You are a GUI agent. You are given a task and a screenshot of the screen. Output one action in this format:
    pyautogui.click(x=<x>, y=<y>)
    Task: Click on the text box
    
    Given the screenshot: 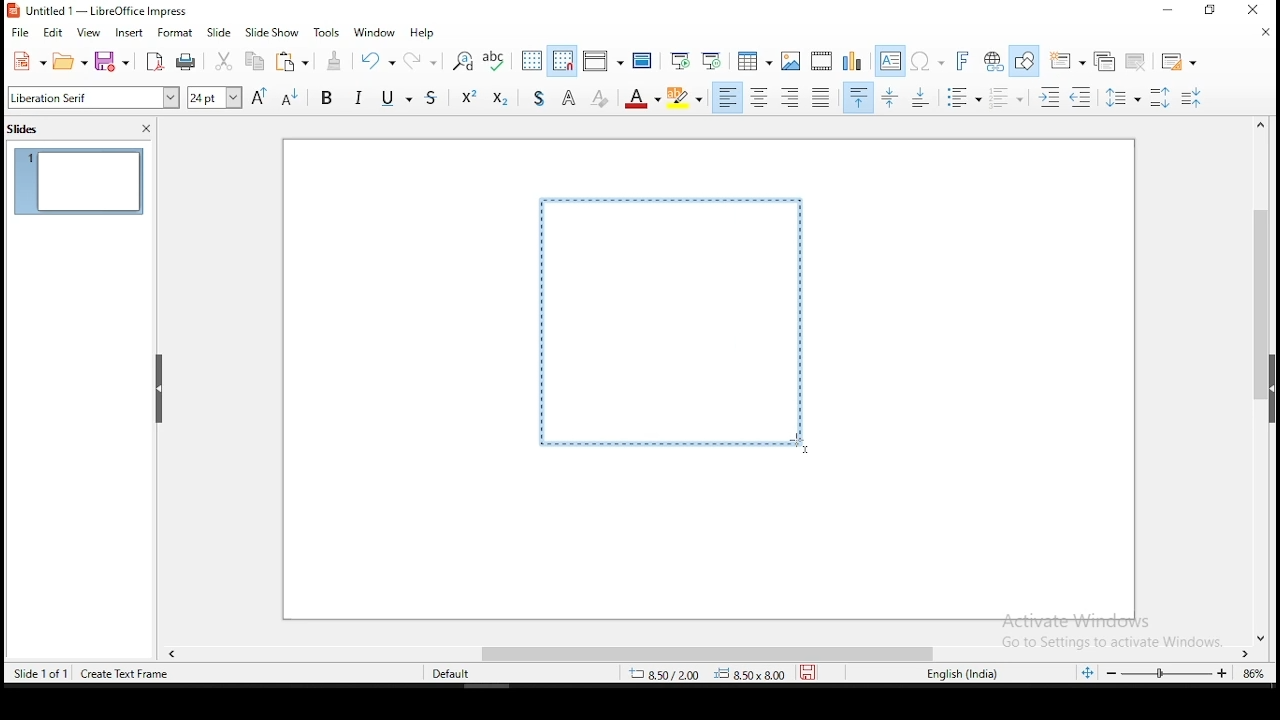 What is the action you would take?
    pyautogui.click(x=888, y=61)
    